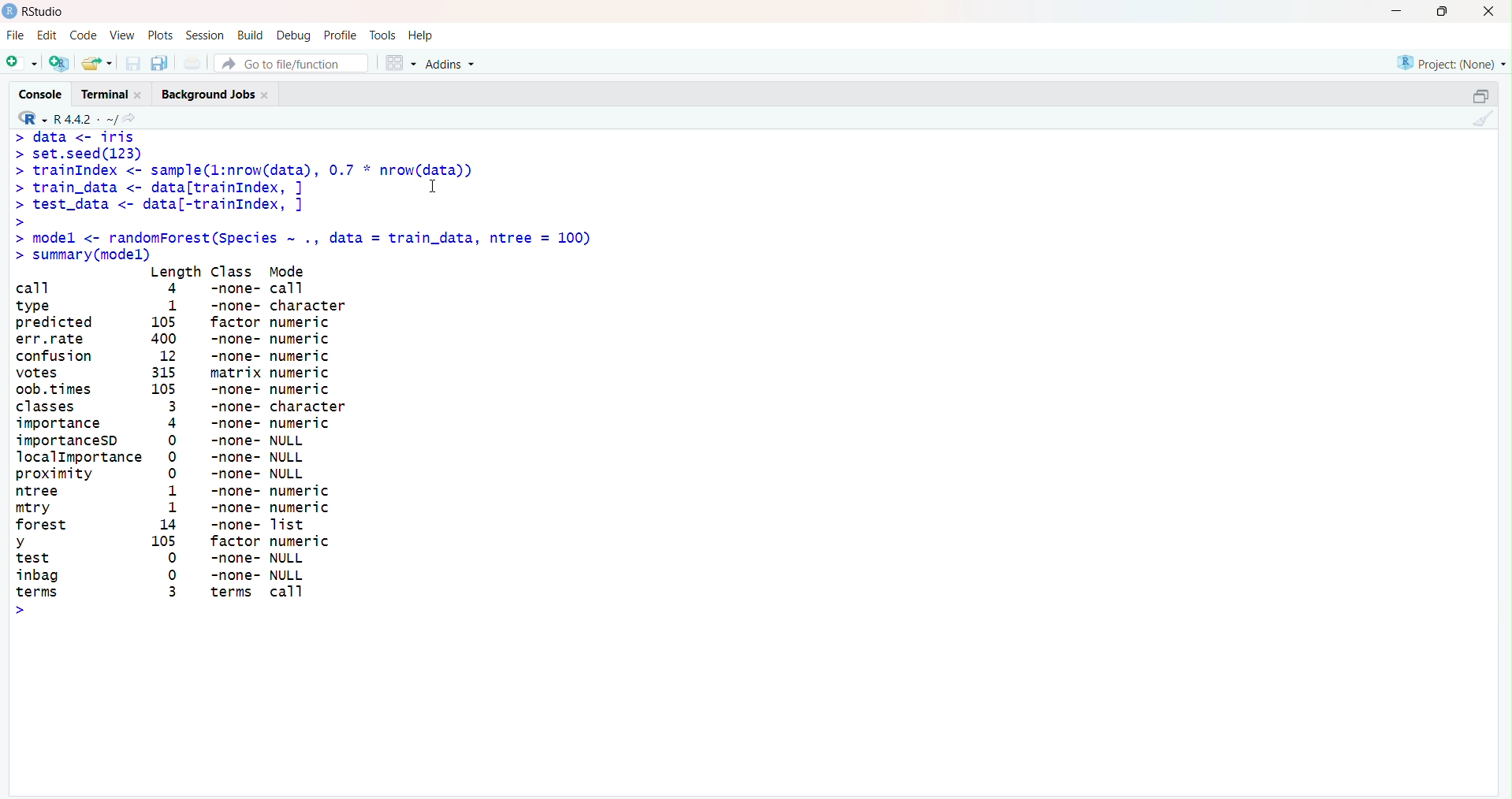 The height and width of the screenshot is (799, 1512). Describe the element at coordinates (136, 117) in the screenshot. I see `View the current working directory` at that location.